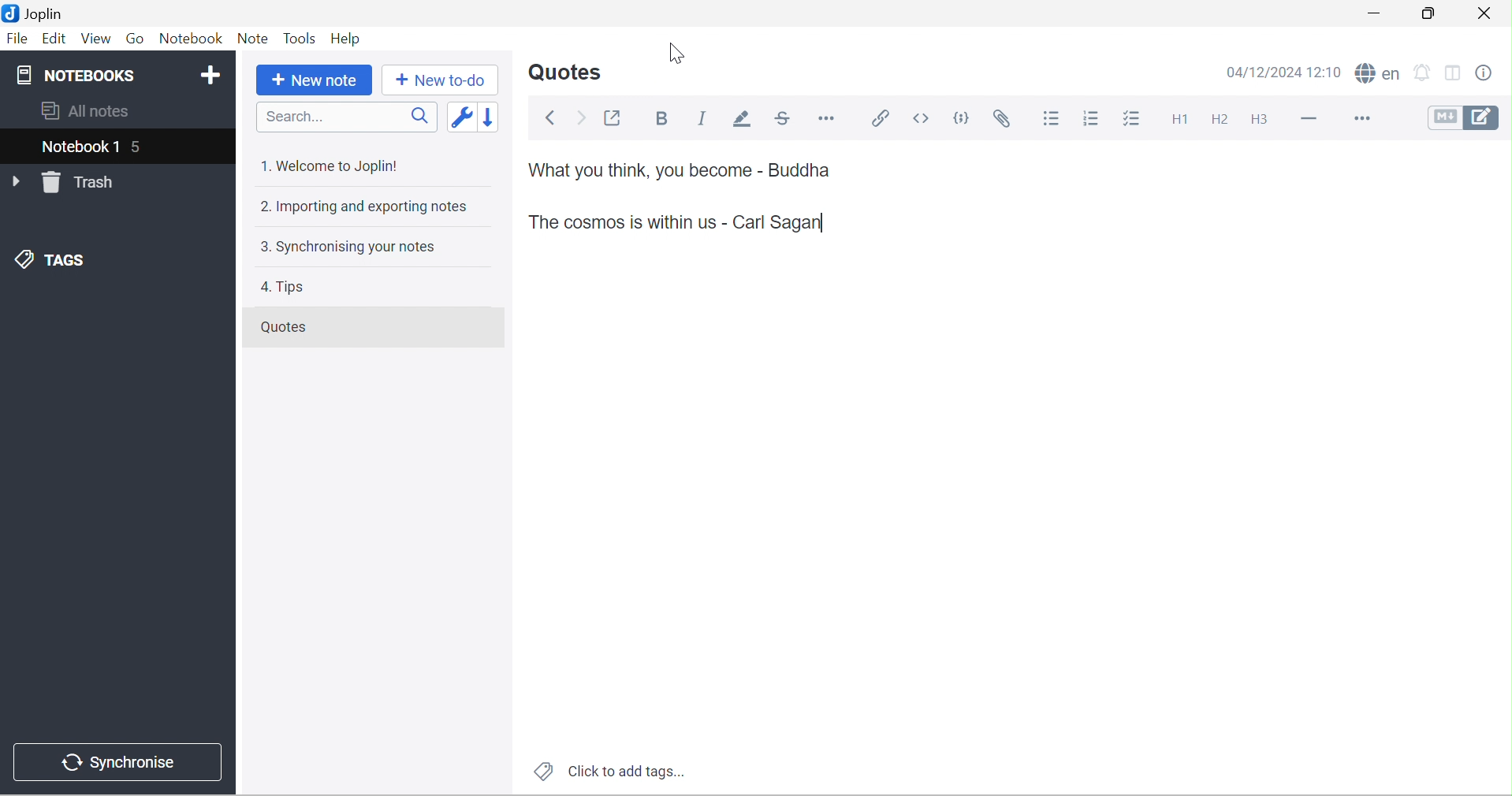 This screenshot has width=1512, height=796. Describe the element at coordinates (357, 247) in the screenshot. I see `3. Synchronising your notes` at that location.